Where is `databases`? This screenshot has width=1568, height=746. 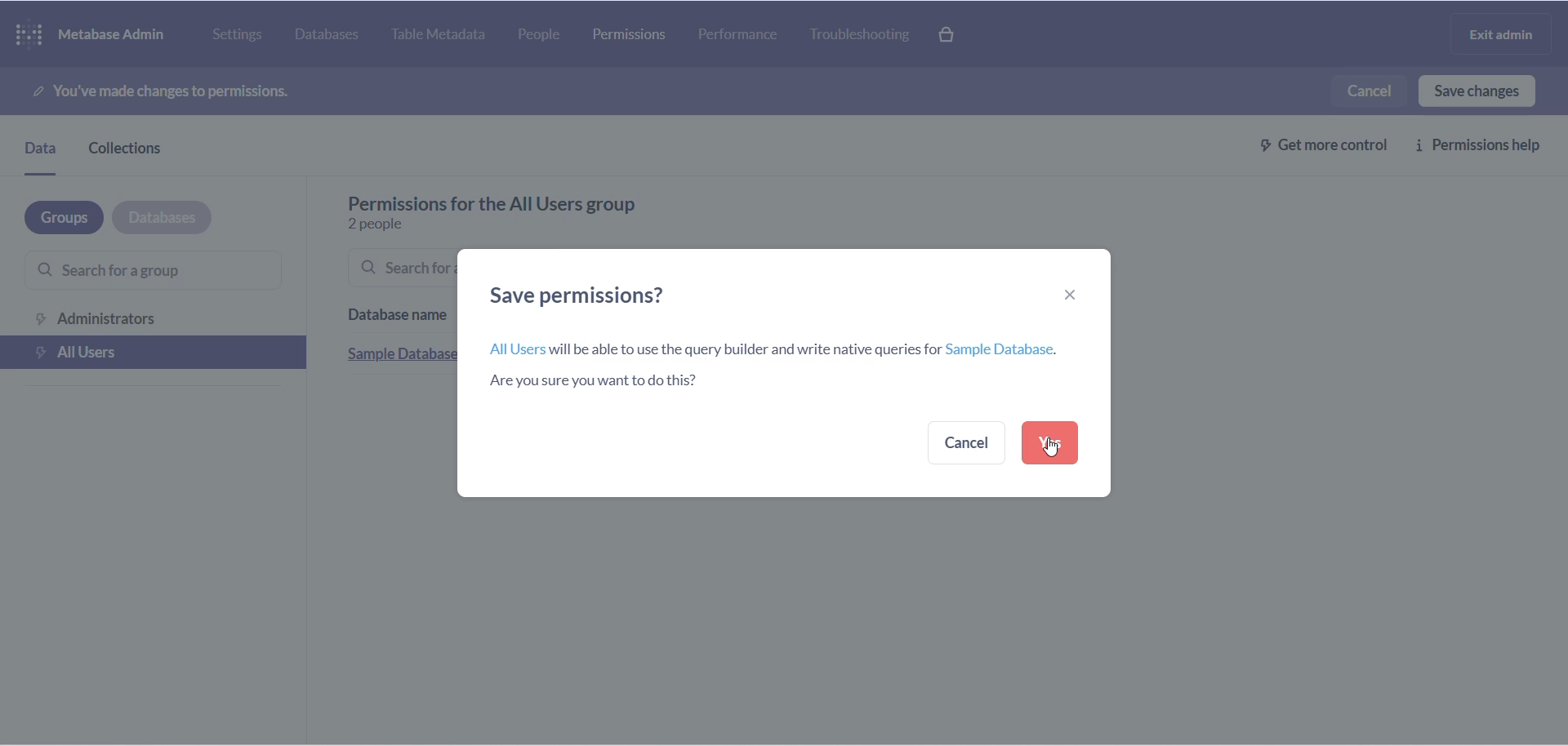
databases is located at coordinates (163, 216).